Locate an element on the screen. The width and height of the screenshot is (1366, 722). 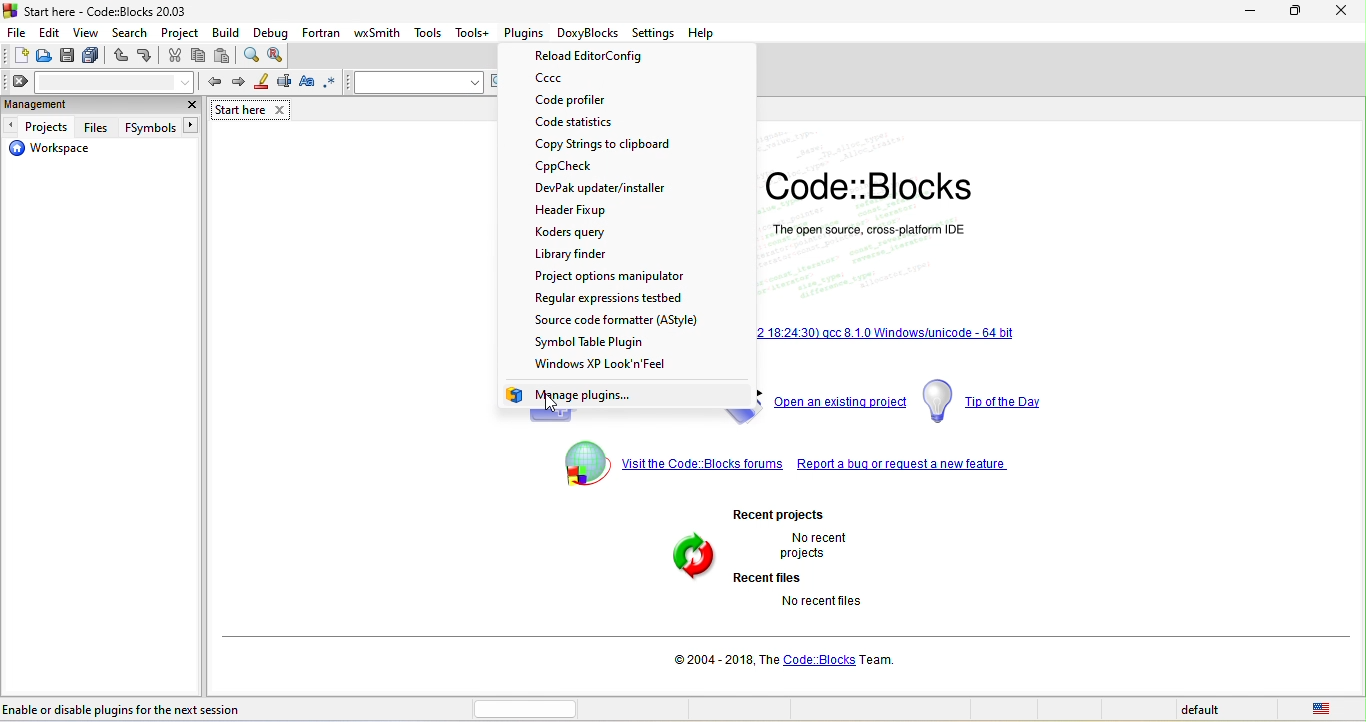
use regex is located at coordinates (333, 82).